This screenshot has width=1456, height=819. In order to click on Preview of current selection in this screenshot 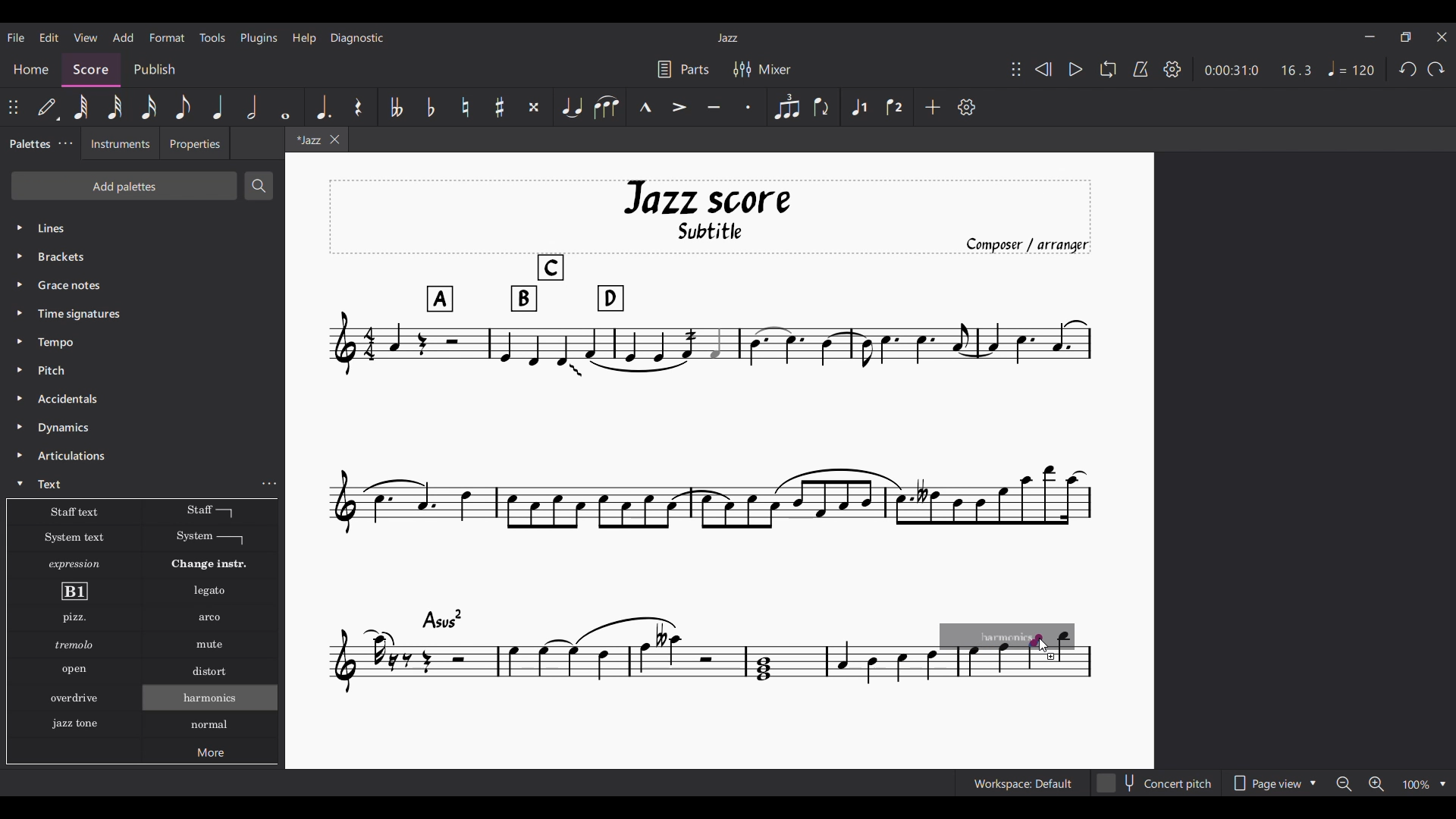, I will do `click(1015, 653)`.